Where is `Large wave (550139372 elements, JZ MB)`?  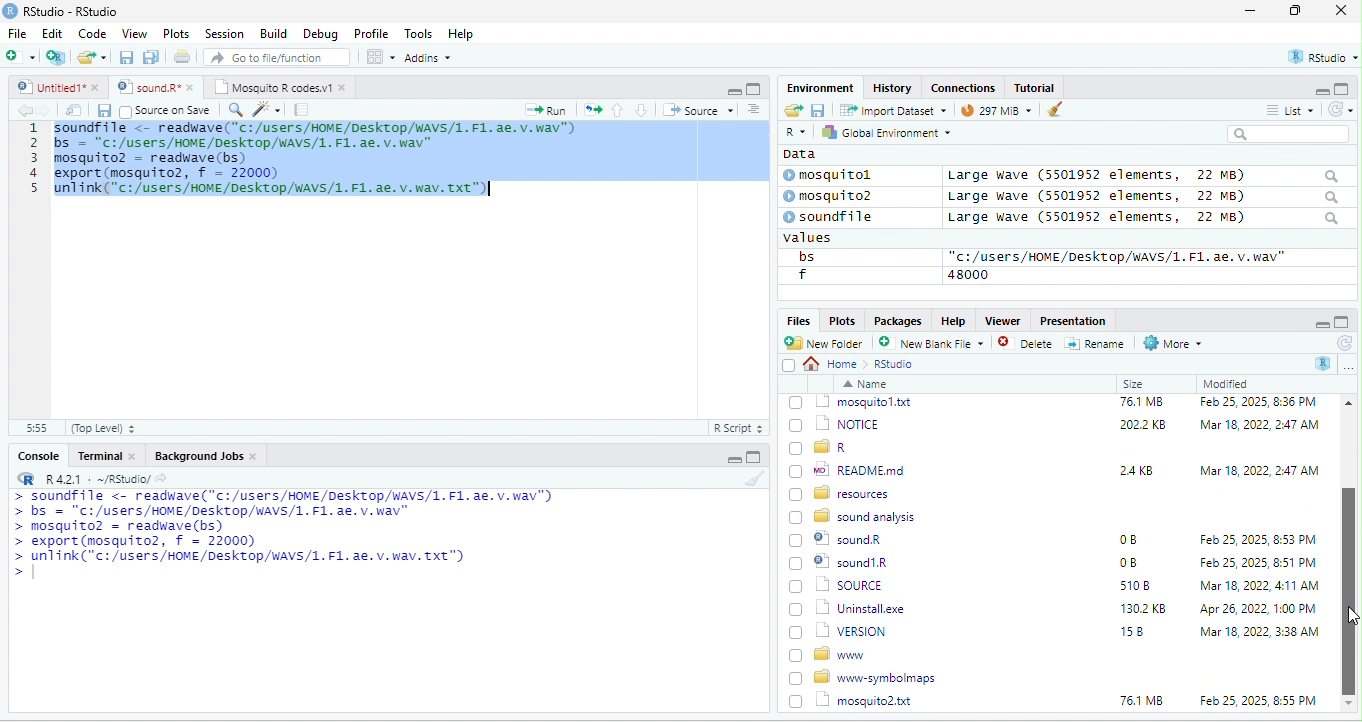 Large wave (550139372 elements, JZ MB) is located at coordinates (1145, 196).